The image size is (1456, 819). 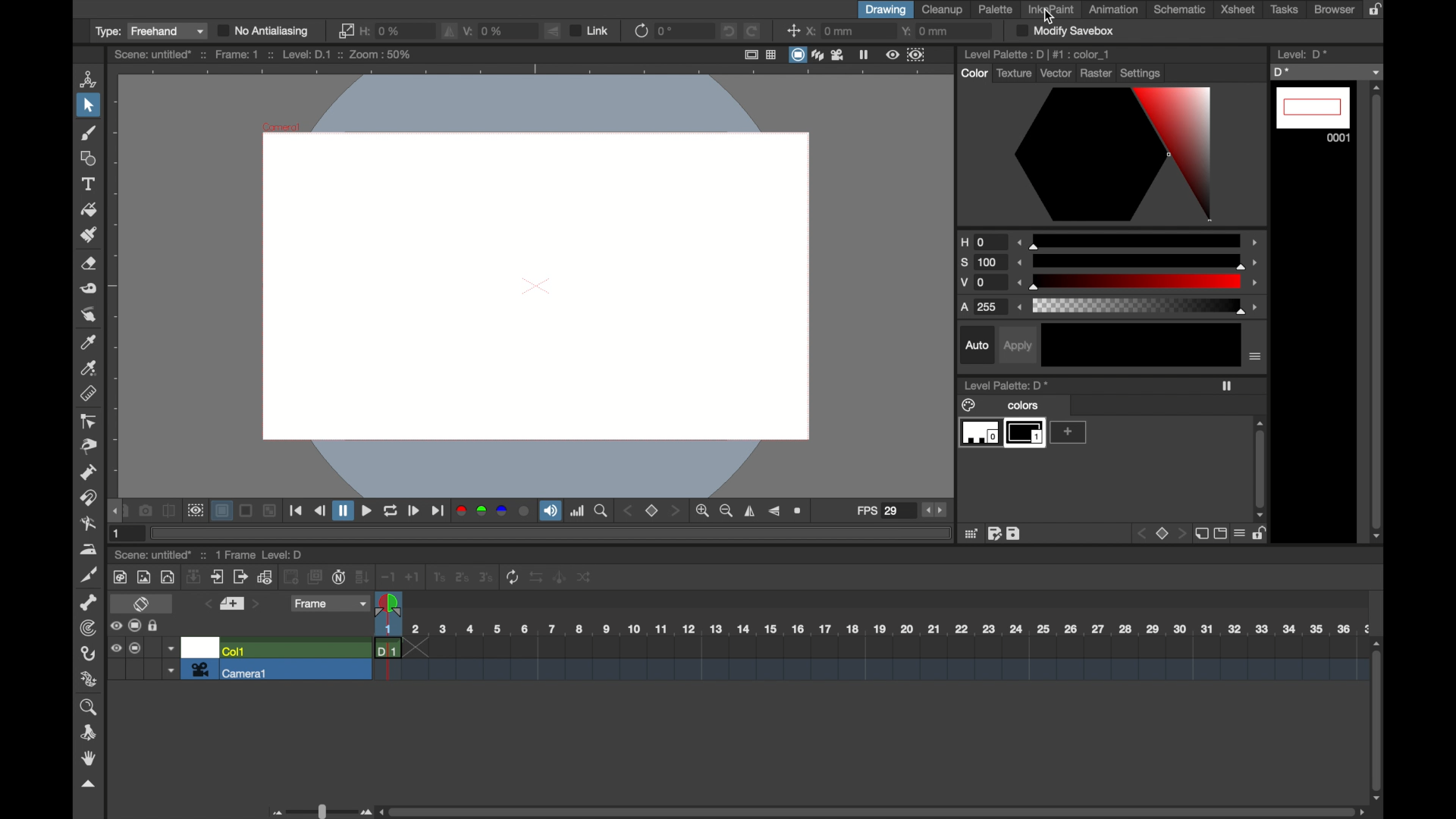 I want to click on animation, so click(x=1112, y=9).